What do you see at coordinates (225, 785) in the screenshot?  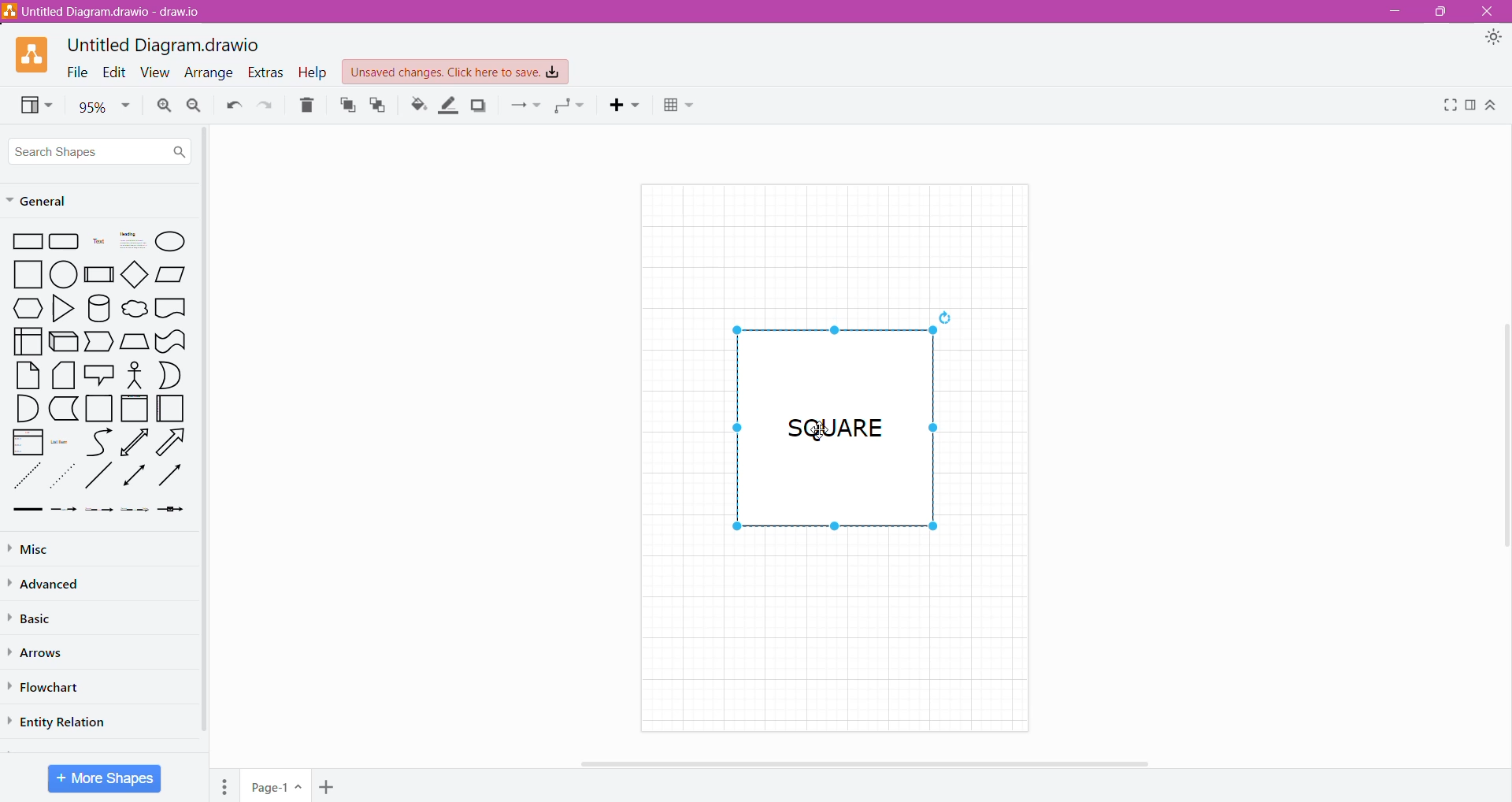 I see `Pages` at bounding box center [225, 785].